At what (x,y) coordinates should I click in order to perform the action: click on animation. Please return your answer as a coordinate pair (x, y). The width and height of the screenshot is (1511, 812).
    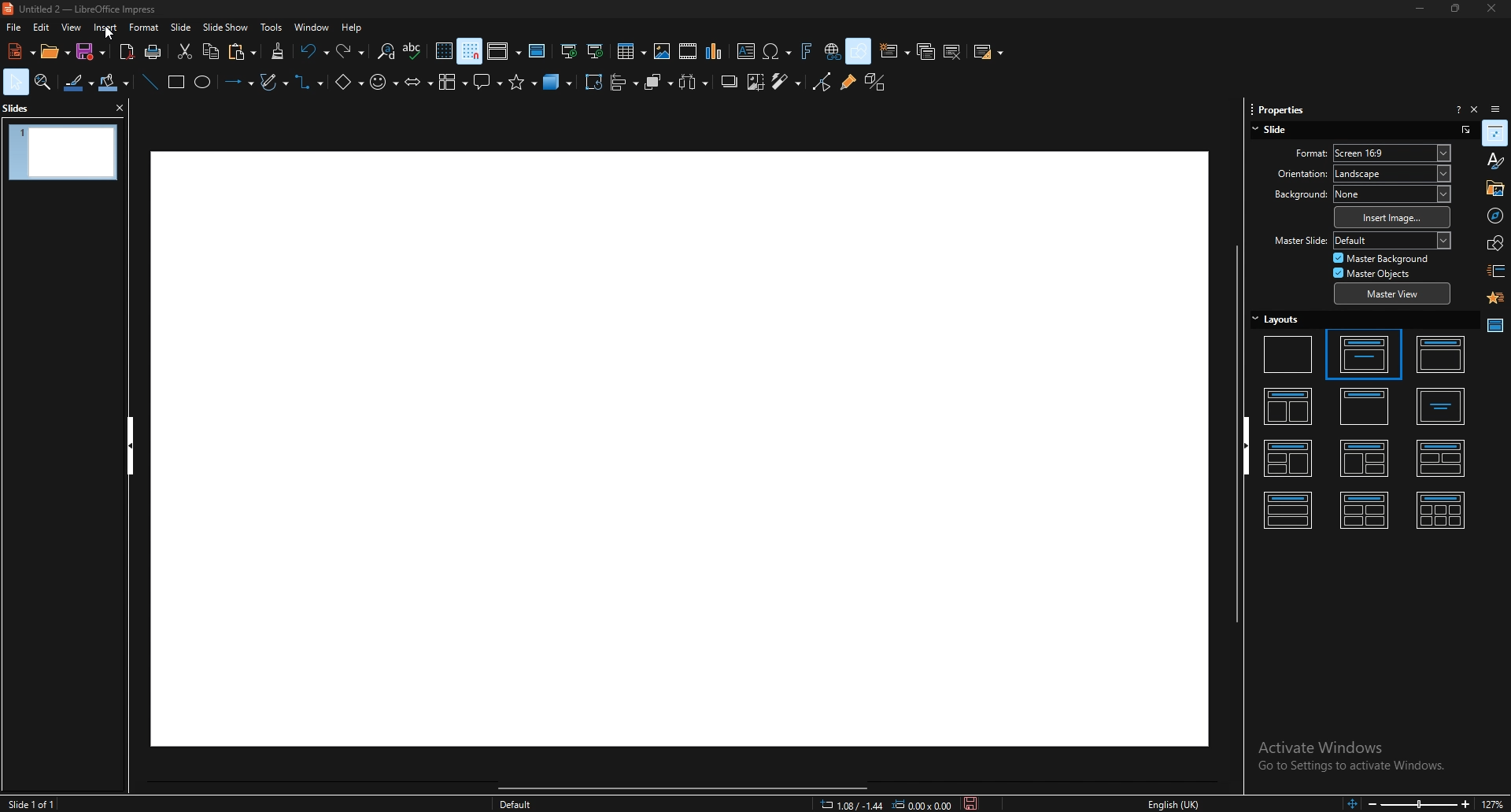
    Looking at the image, I should click on (1494, 298).